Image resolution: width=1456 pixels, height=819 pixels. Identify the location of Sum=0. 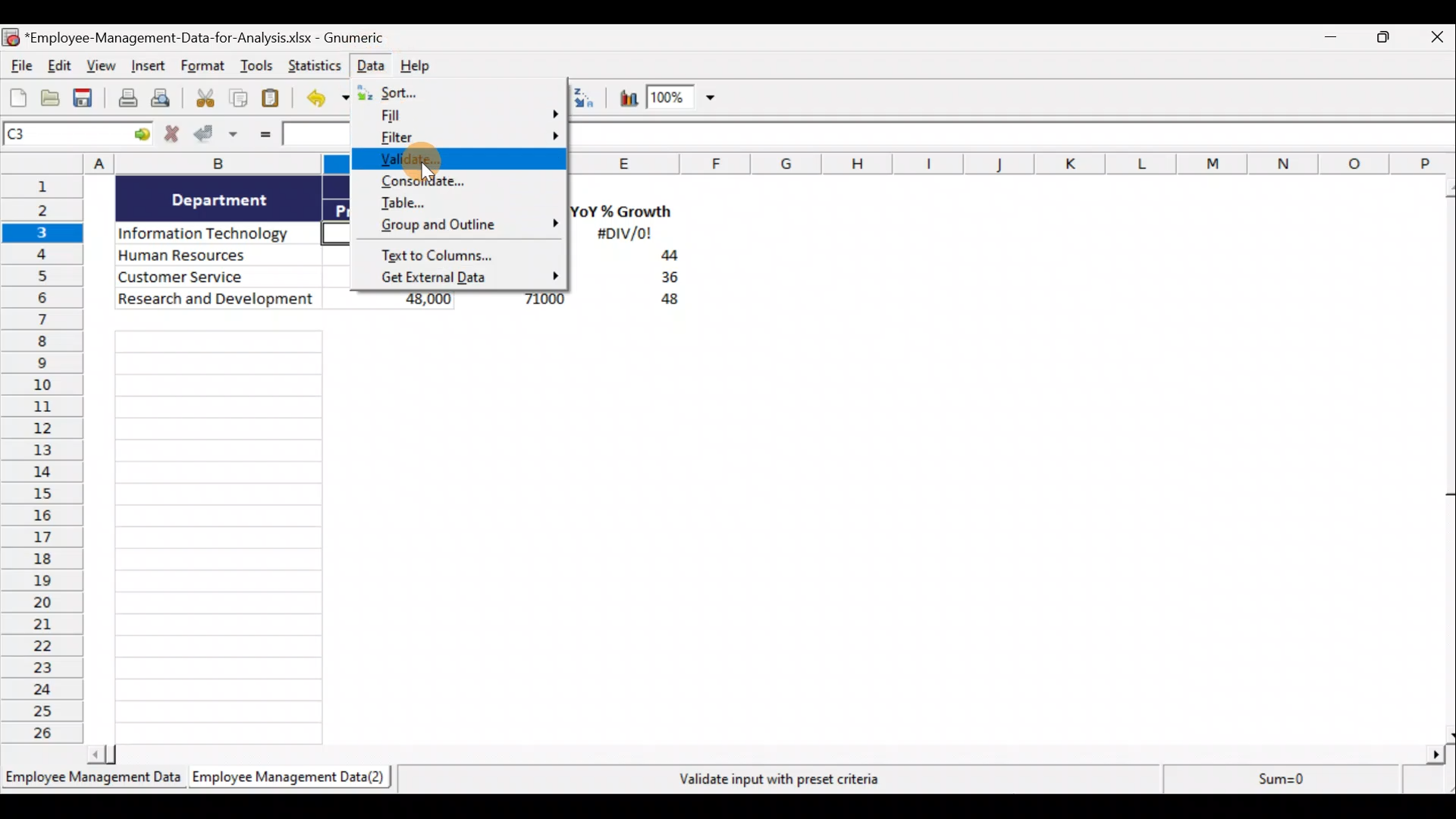
(1275, 783).